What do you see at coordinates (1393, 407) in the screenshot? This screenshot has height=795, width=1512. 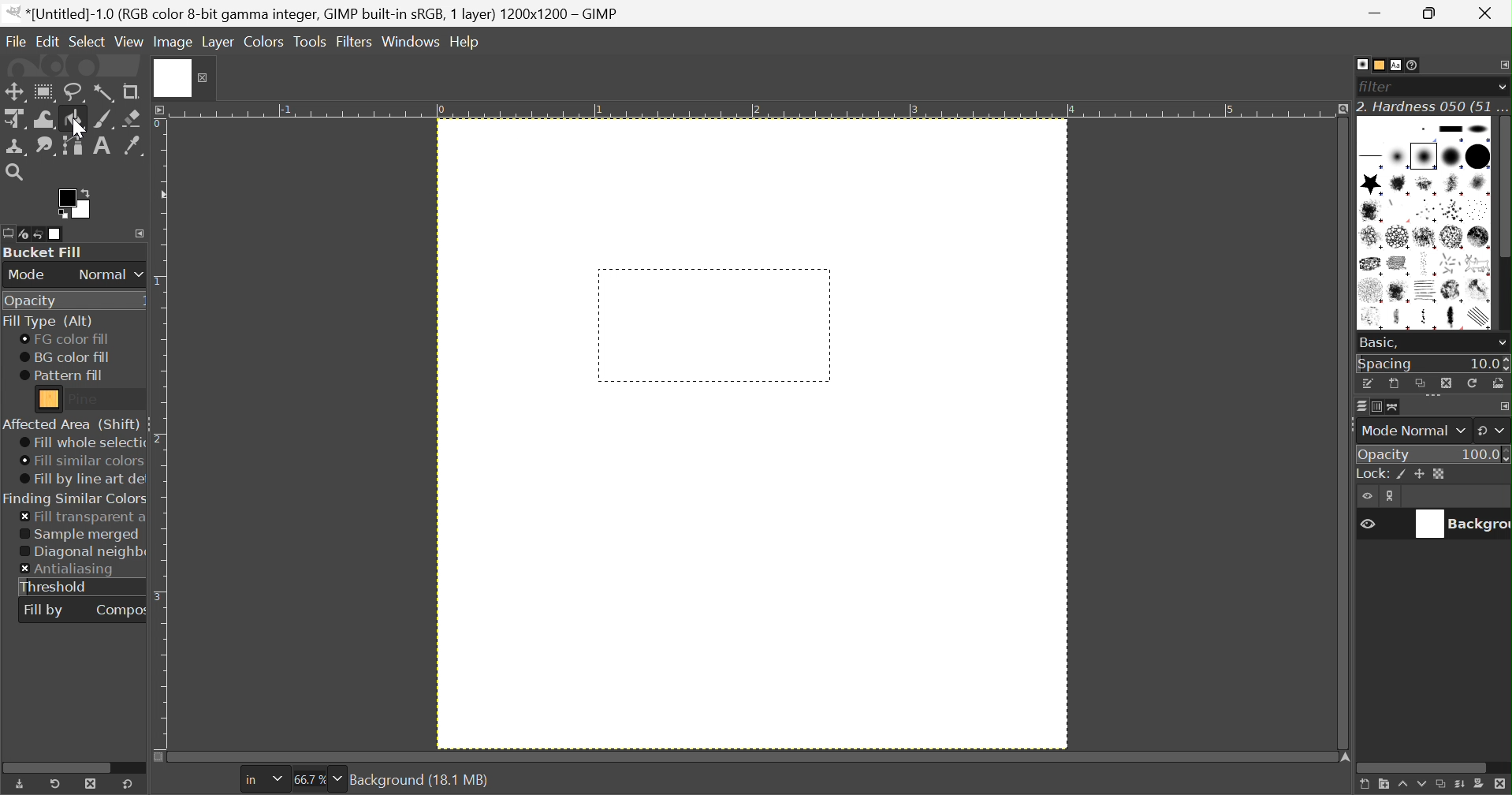 I see `Paths` at bounding box center [1393, 407].